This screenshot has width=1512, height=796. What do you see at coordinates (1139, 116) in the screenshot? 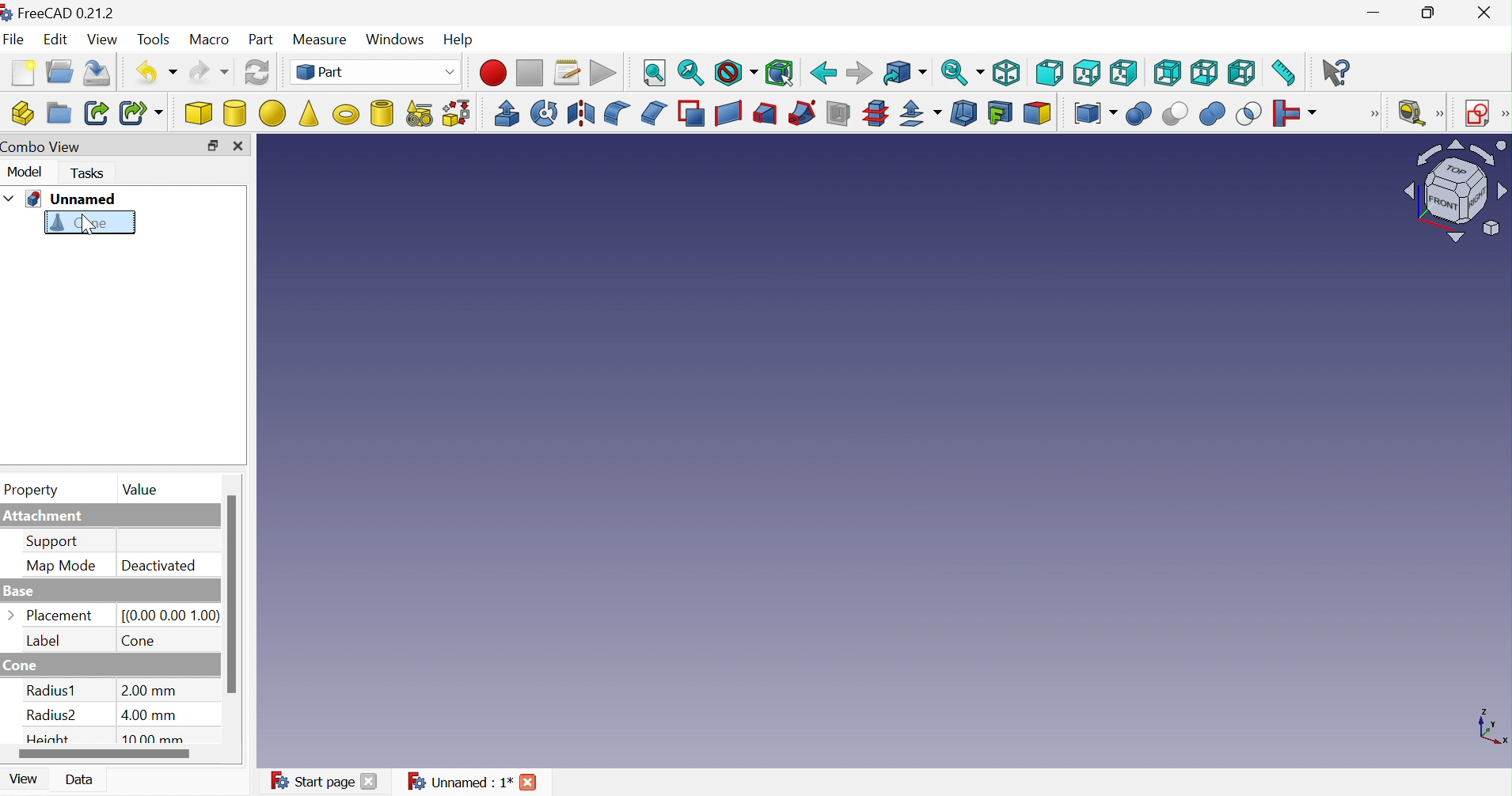
I see `Boolean` at bounding box center [1139, 116].